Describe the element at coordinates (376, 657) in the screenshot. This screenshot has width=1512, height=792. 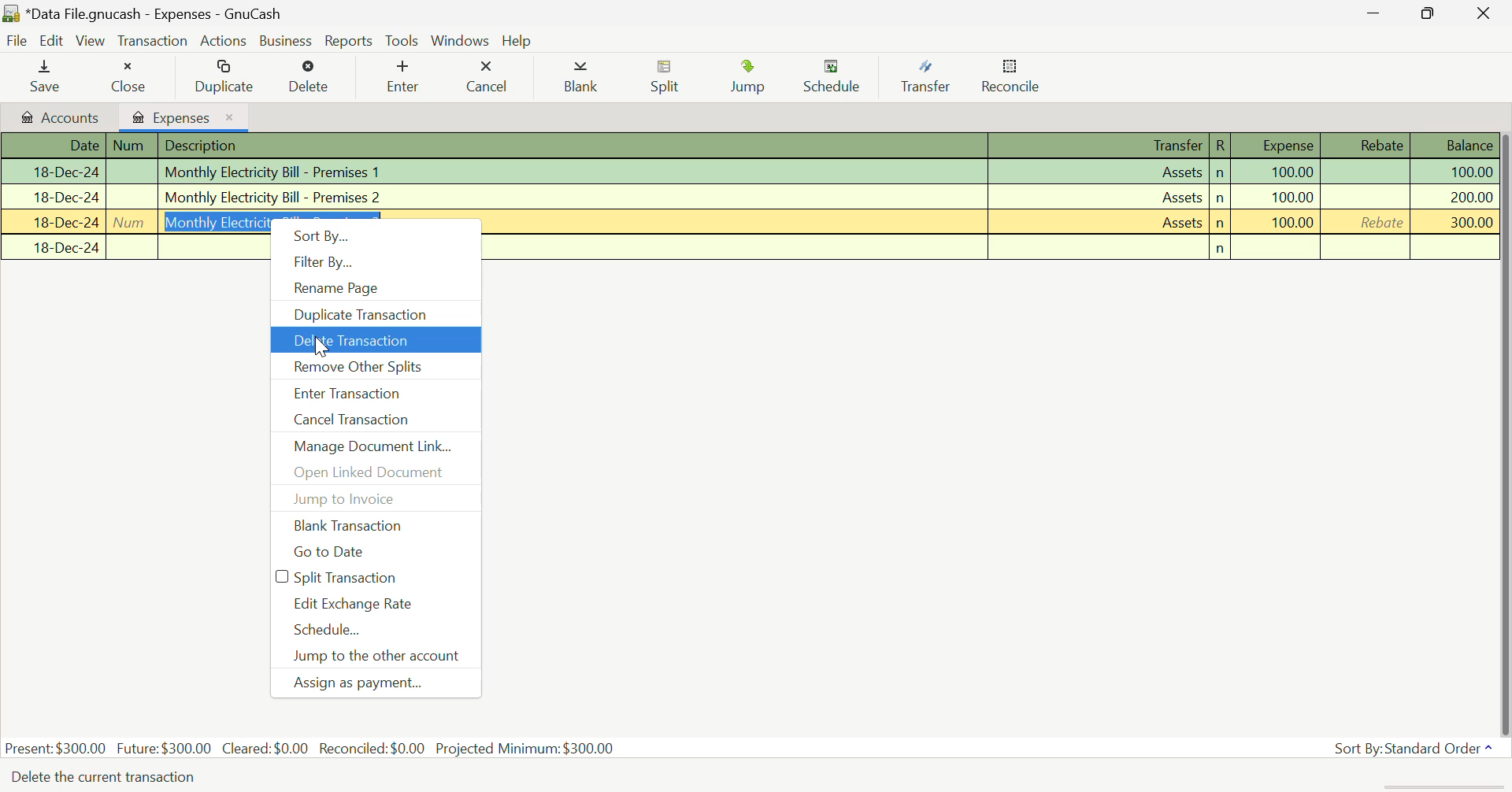
I see `Jump to the other account` at that location.